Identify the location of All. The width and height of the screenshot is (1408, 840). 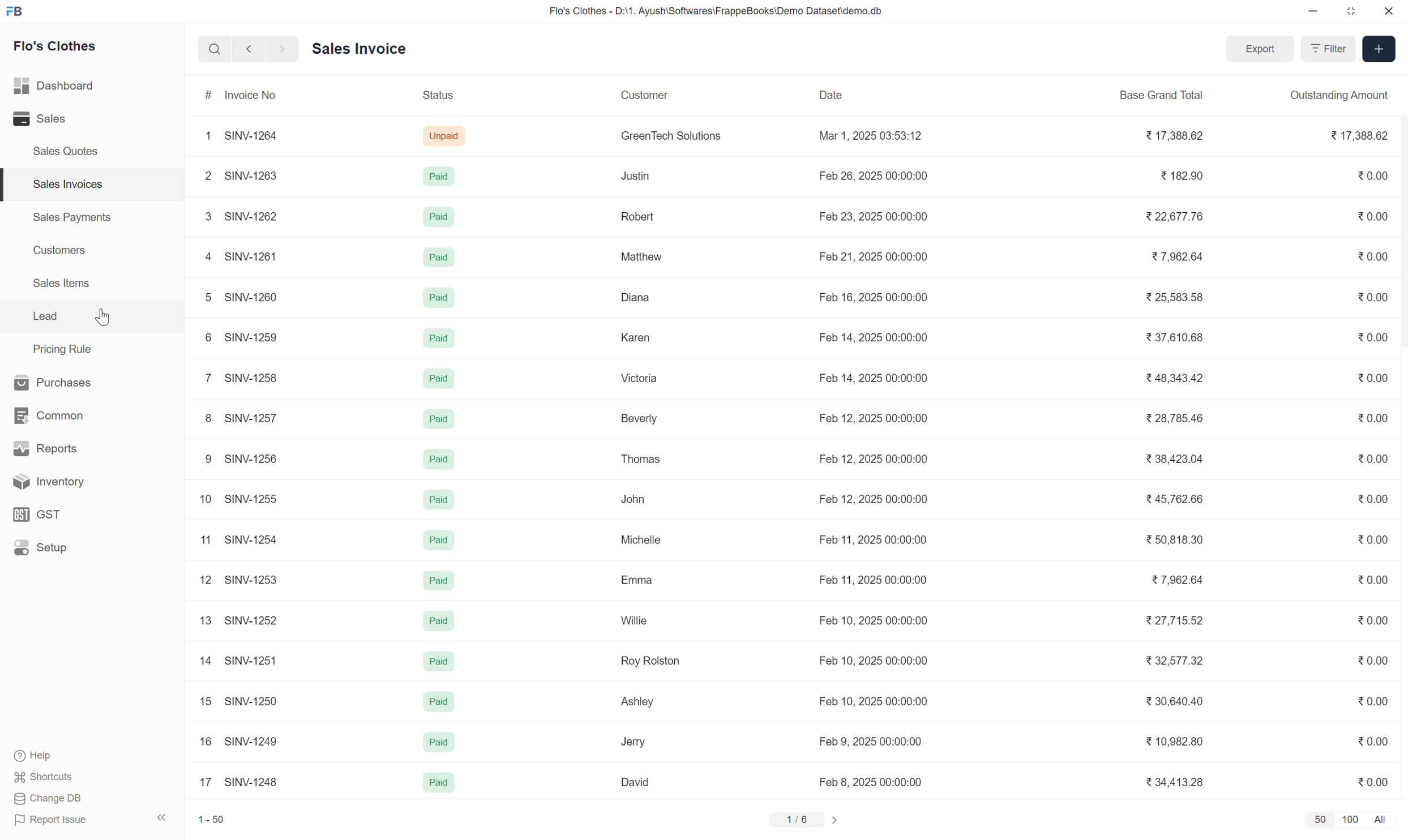
(1382, 818).